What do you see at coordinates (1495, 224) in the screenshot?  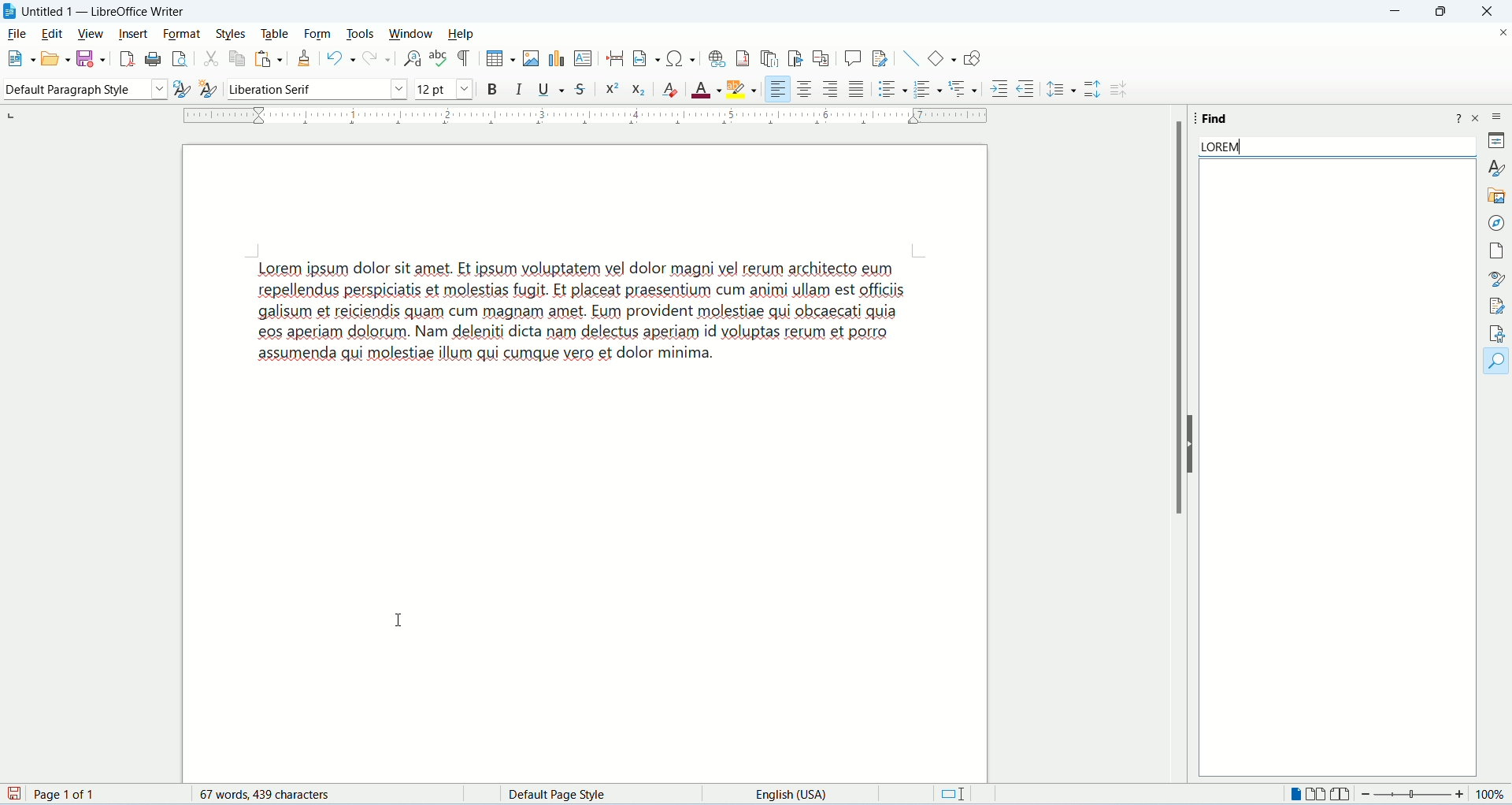 I see `navigator` at bounding box center [1495, 224].